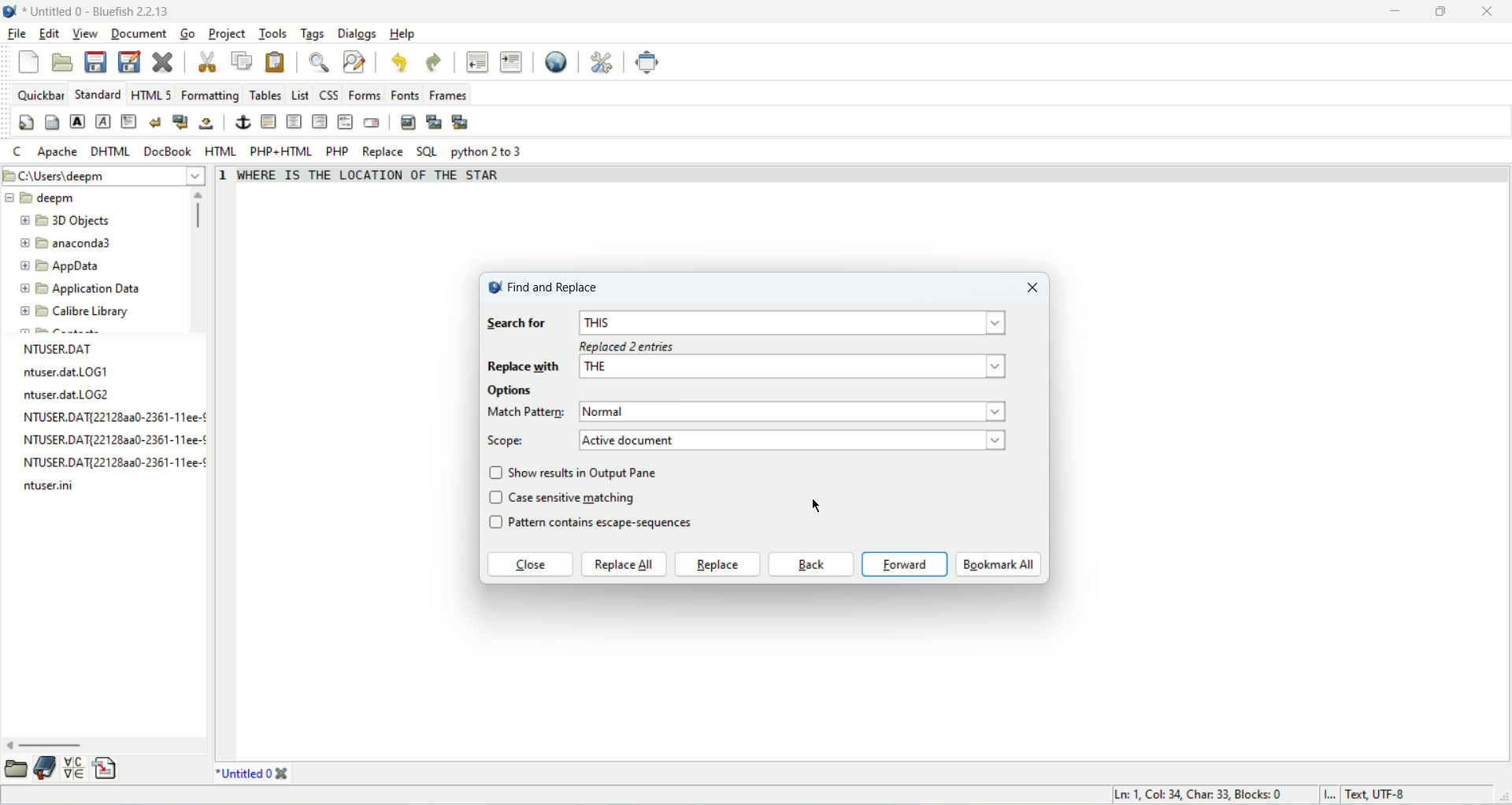 This screenshot has width=1512, height=805. I want to click on preferences, so click(602, 63).